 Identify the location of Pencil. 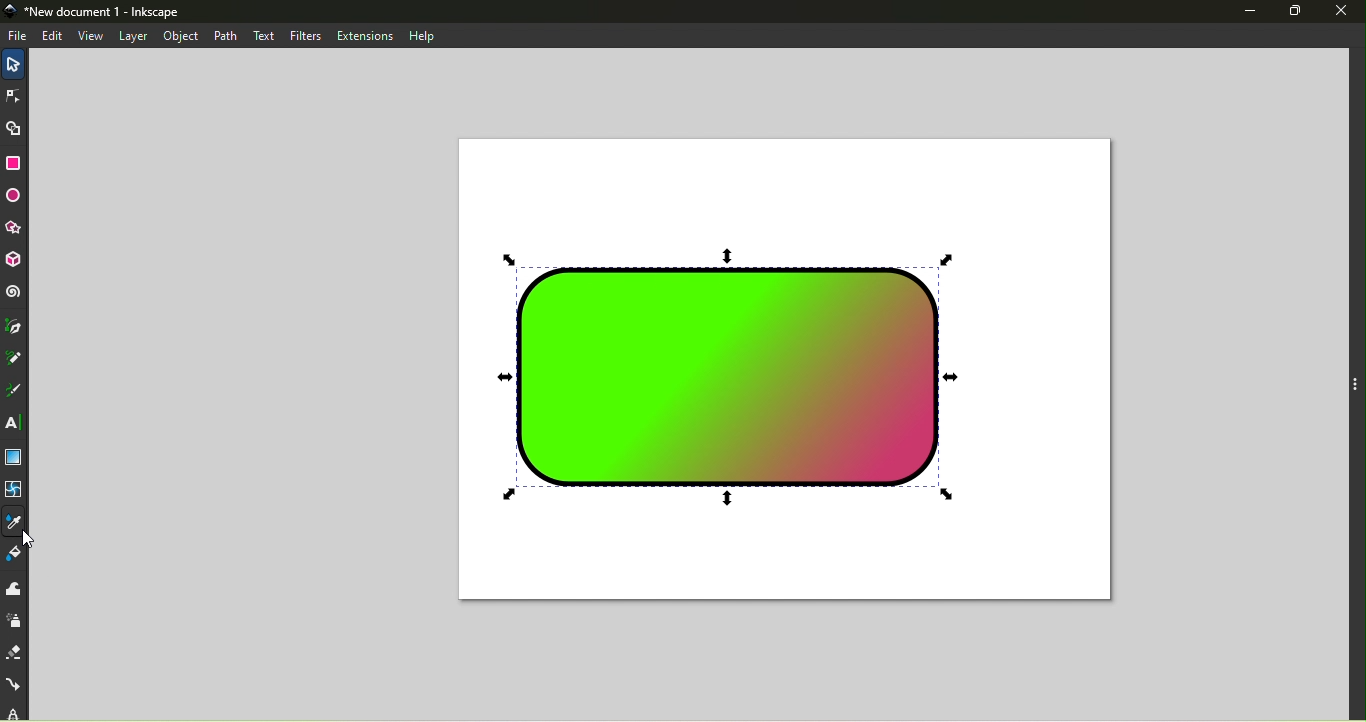
(16, 360).